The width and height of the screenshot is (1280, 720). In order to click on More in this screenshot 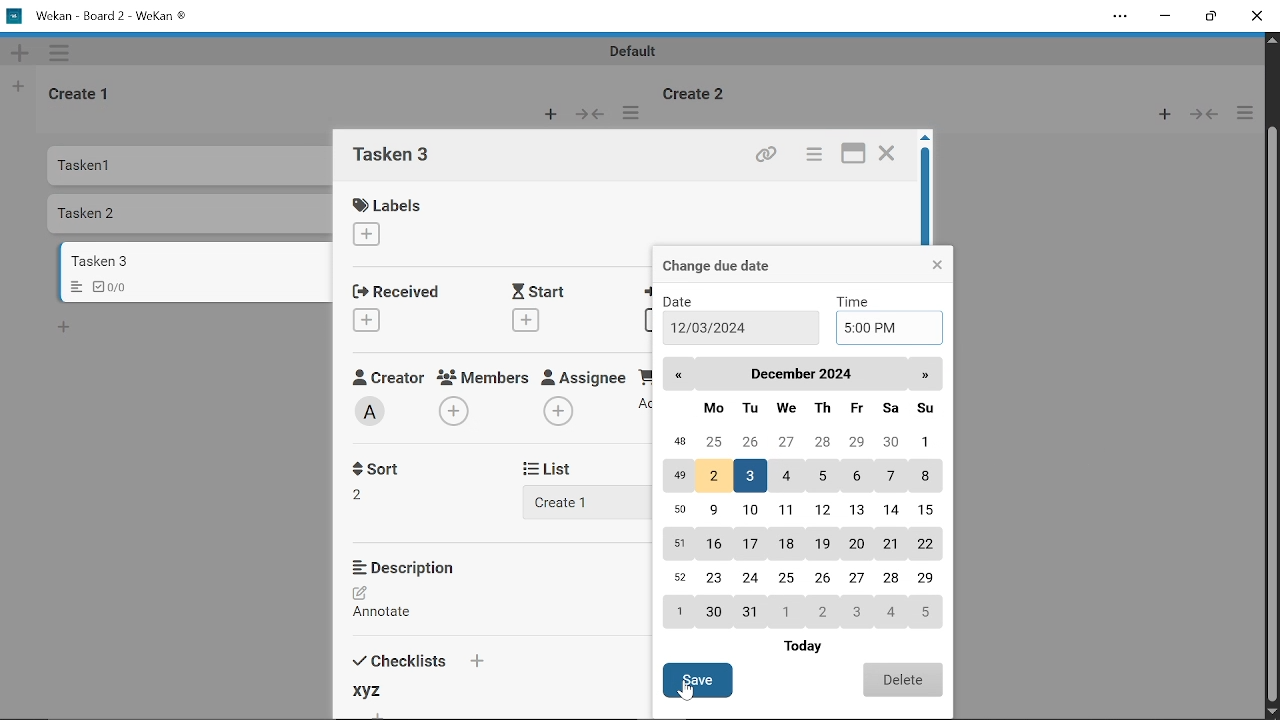, I will do `click(635, 113)`.